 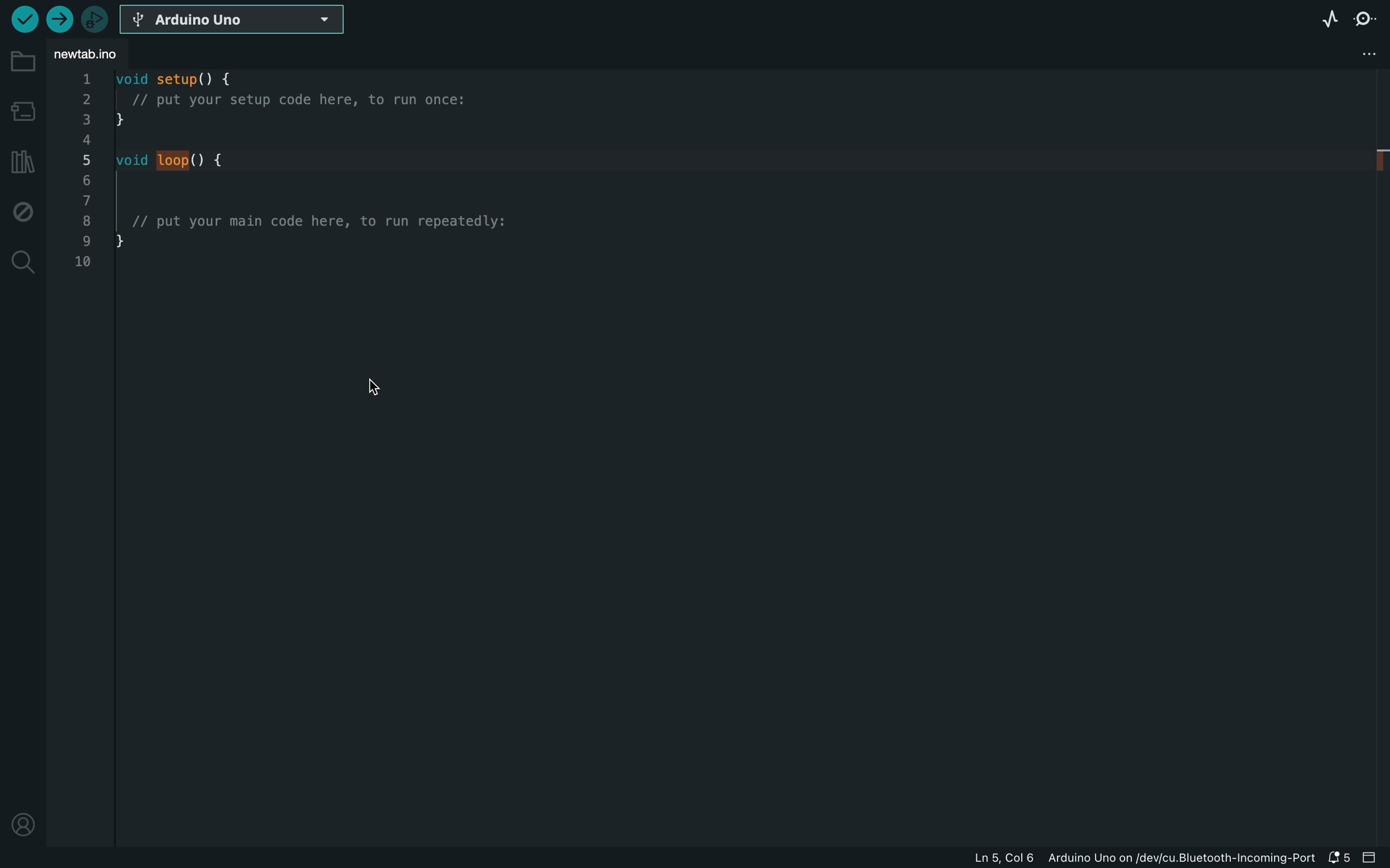 What do you see at coordinates (298, 196) in the screenshot?
I see `code` at bounding box center [298, 196].